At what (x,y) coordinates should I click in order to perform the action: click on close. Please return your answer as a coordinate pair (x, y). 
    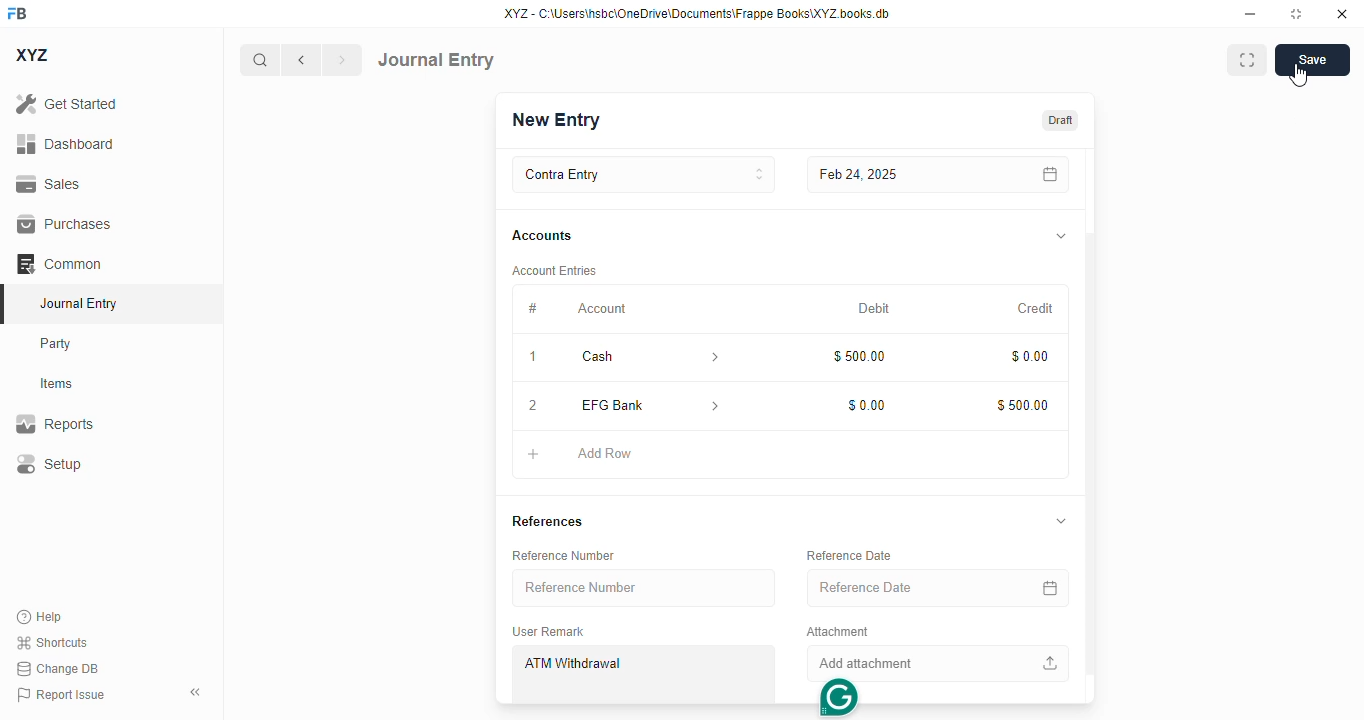
    Looking at the image, I should click on (1342, 14).